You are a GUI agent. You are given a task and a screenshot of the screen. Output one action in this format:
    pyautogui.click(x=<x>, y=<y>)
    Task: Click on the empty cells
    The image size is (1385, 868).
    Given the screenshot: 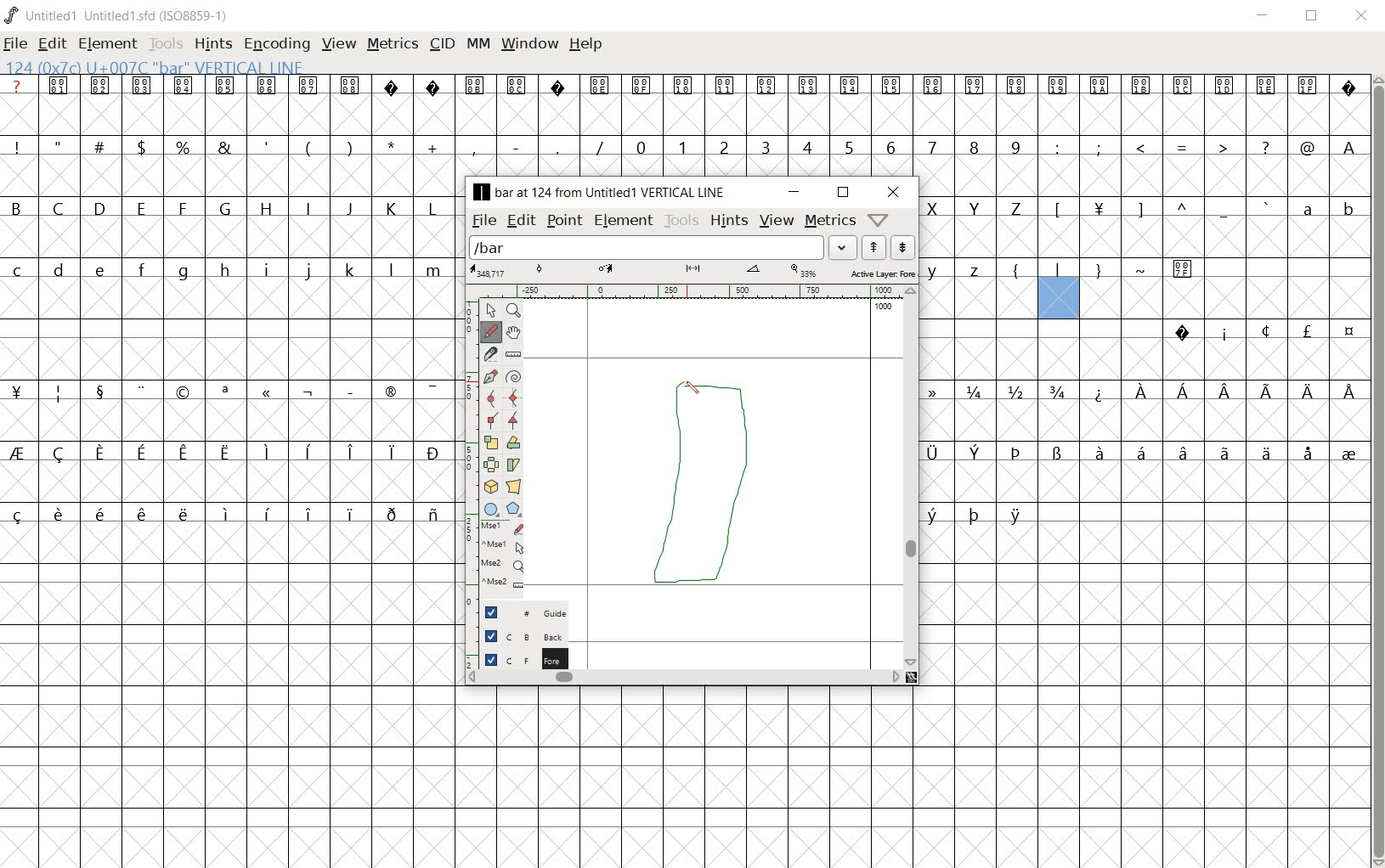 What is the action you would take?
    pyautogui.click(x=231, y=480)
    